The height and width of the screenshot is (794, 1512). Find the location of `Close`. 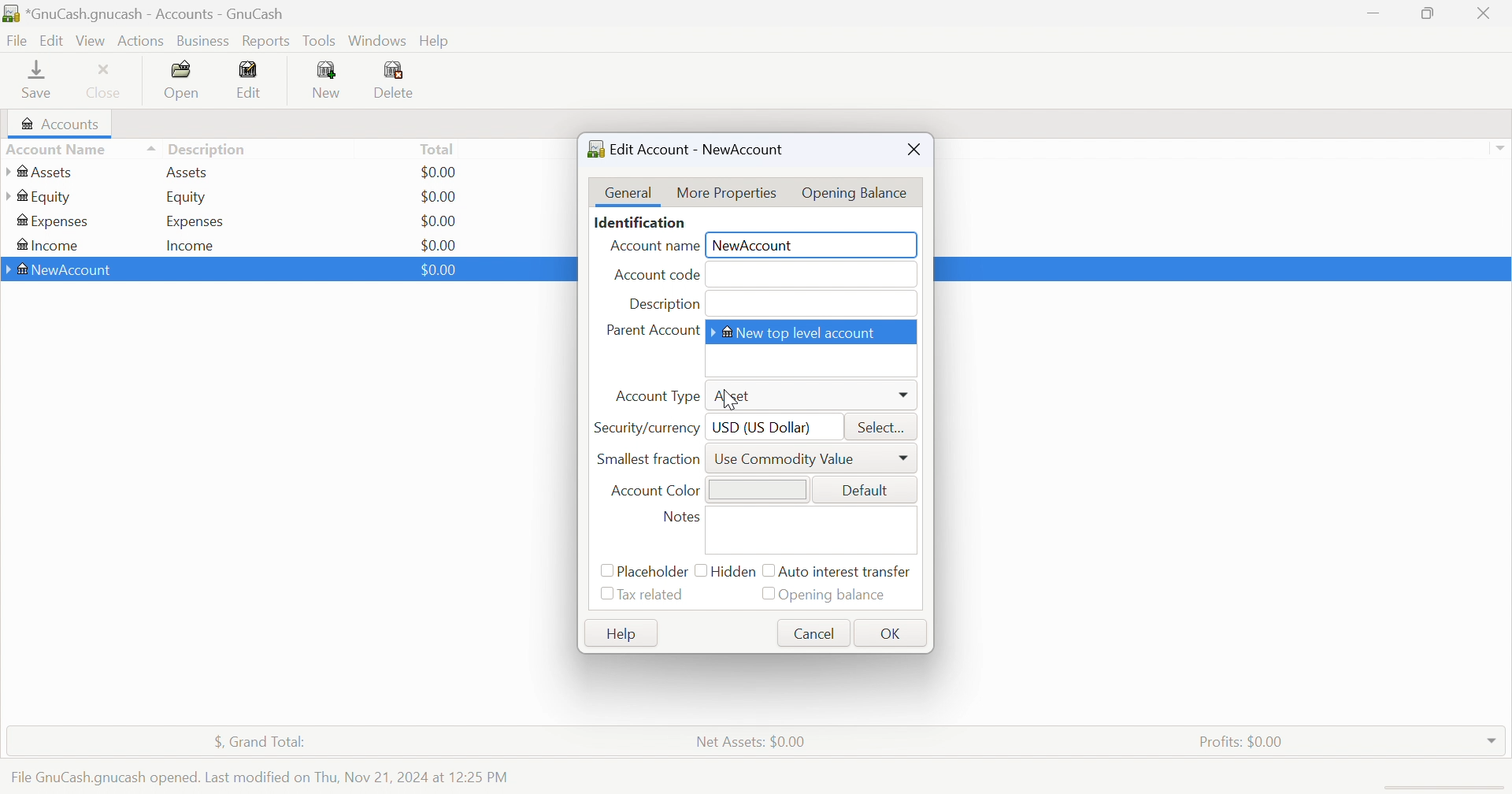

Close is located at coordinates (1484, 13).